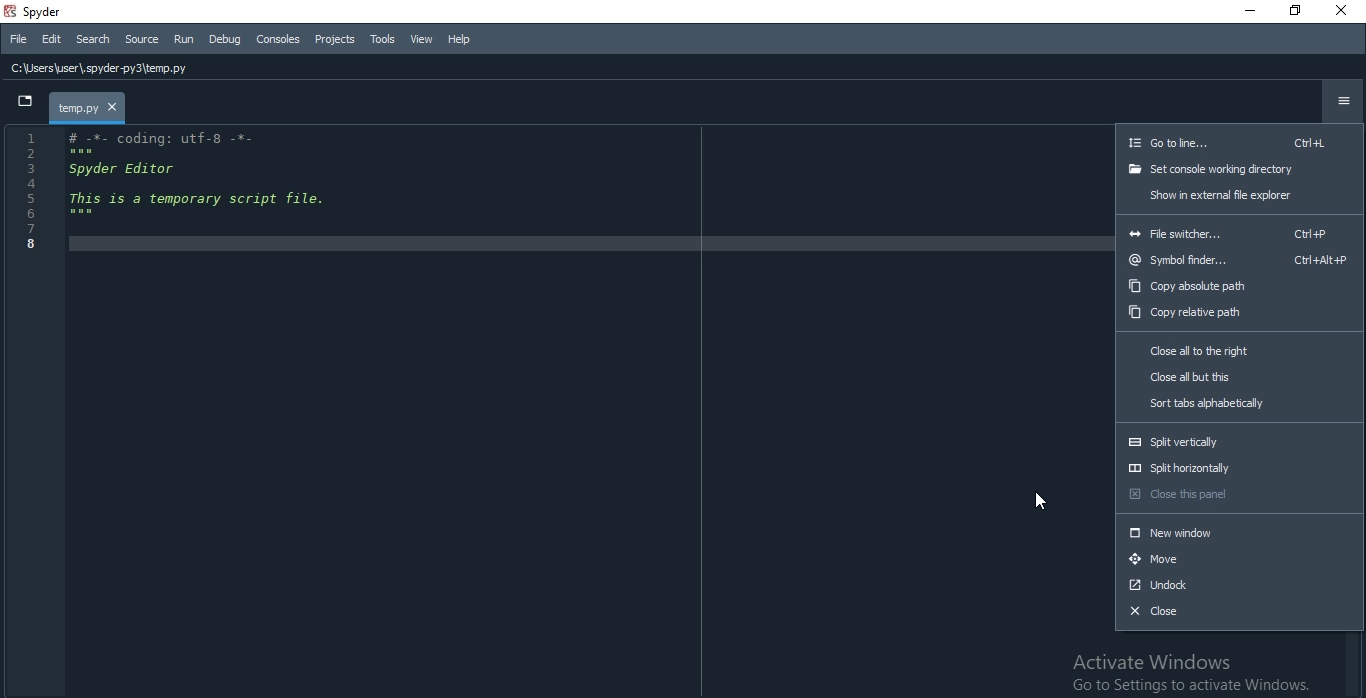 The height and width of the screenshot is (698, 1366). I want to click on View, so click(422, 40).